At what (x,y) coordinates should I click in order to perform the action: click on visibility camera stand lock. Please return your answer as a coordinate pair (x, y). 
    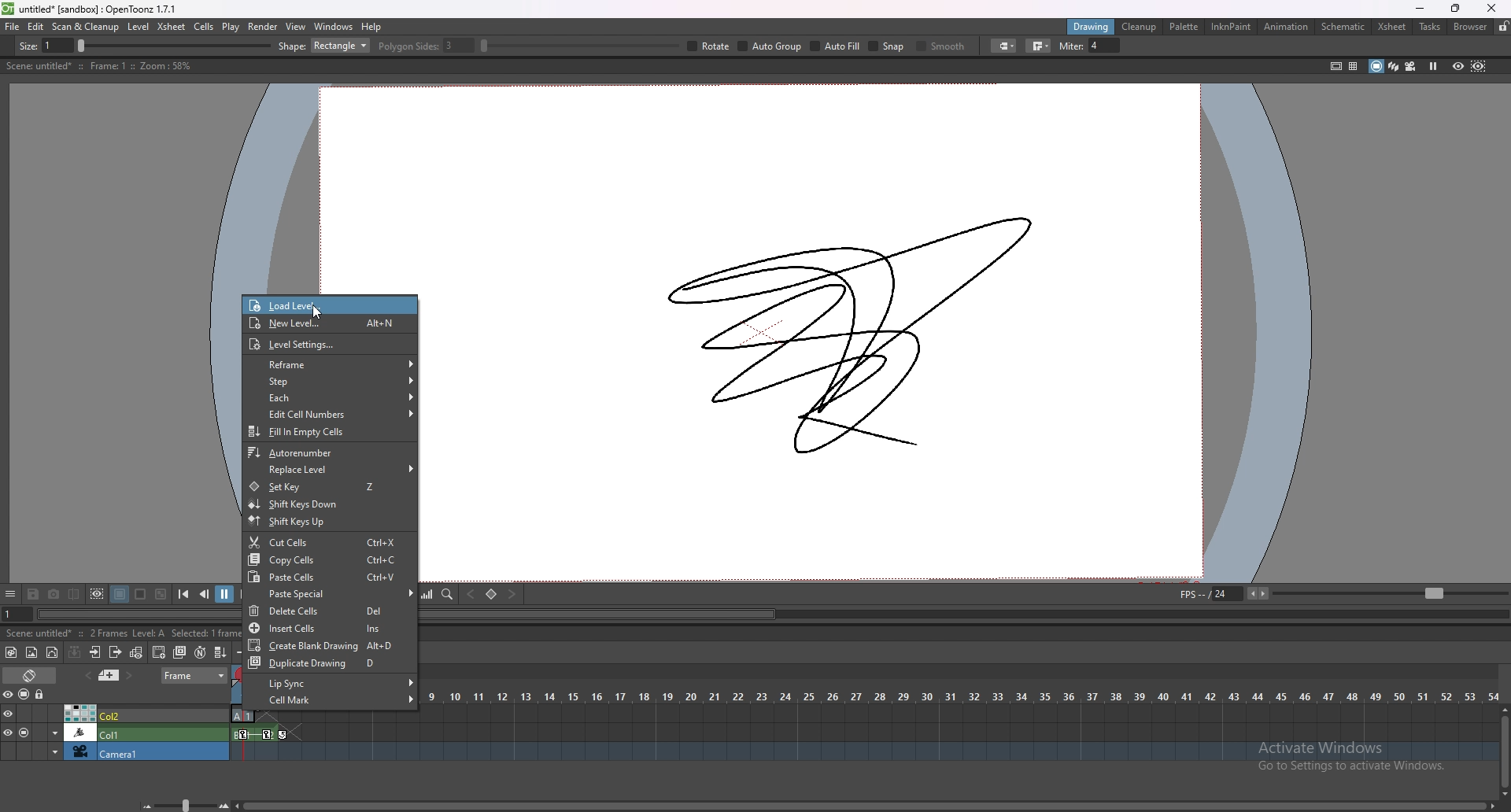
    Looking at the image, I should click on (26, 694).